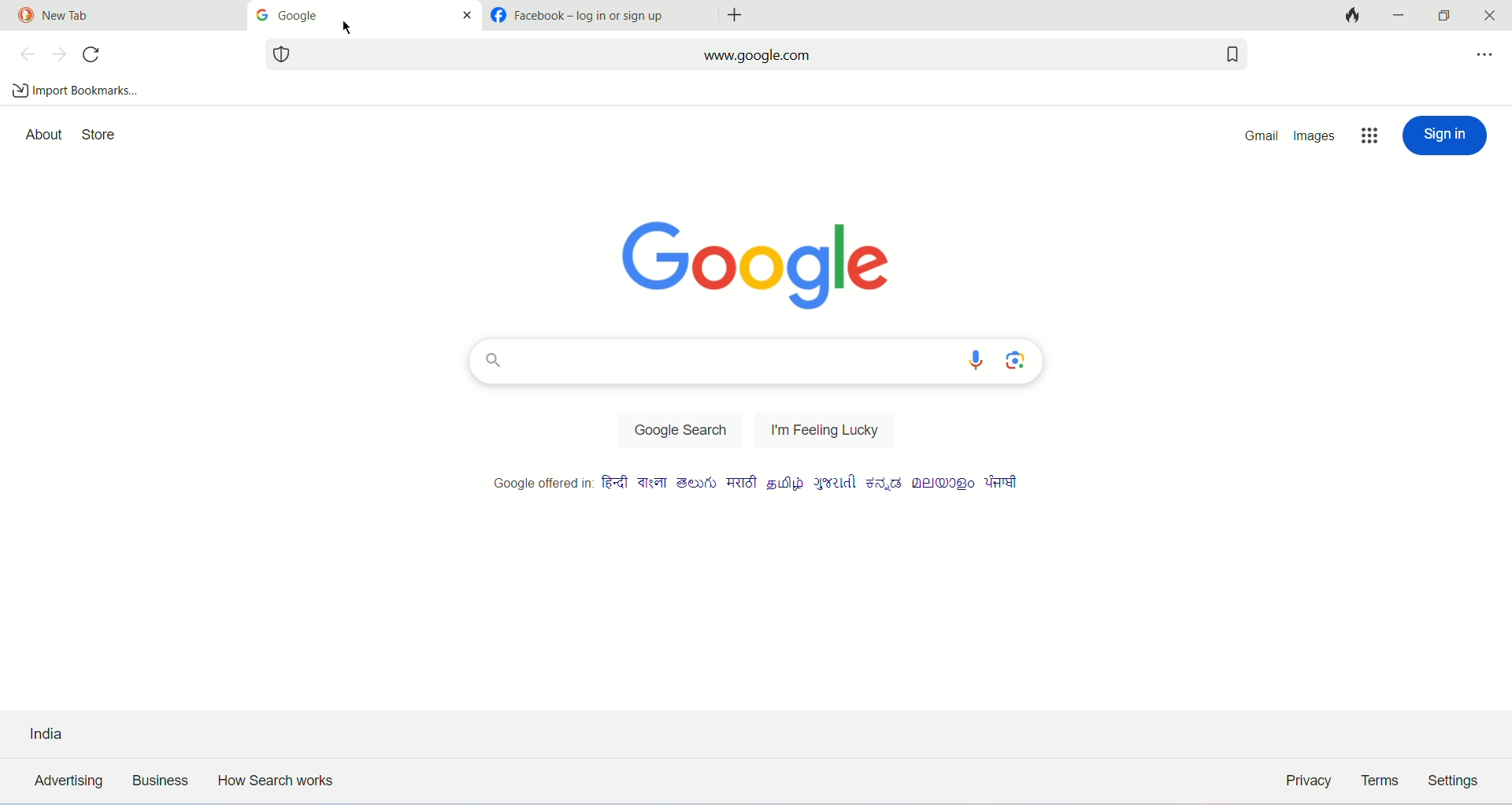  Describe the element at coordinates (74, 90) in the screenshot. I see `import bookmarks` at that location.